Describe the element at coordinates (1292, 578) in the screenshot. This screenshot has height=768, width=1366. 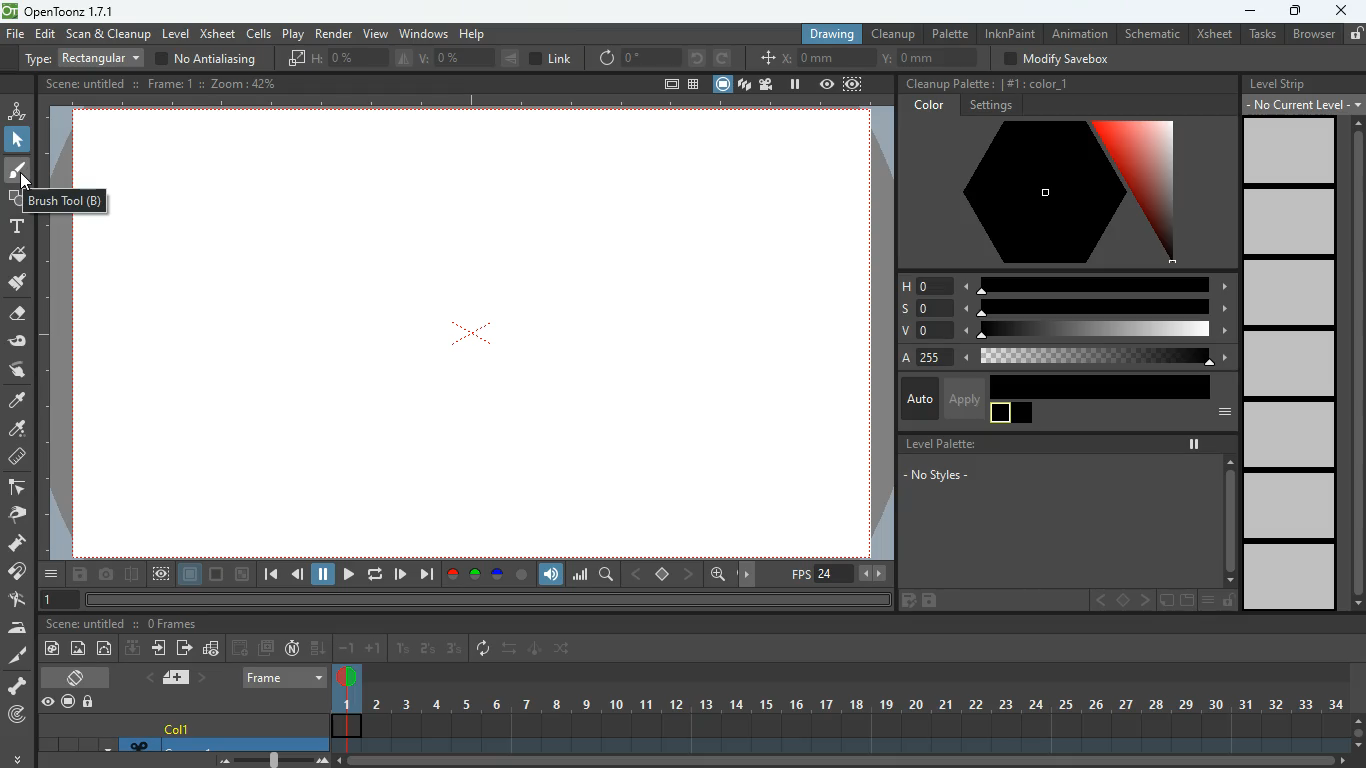
I see `level` at that location.